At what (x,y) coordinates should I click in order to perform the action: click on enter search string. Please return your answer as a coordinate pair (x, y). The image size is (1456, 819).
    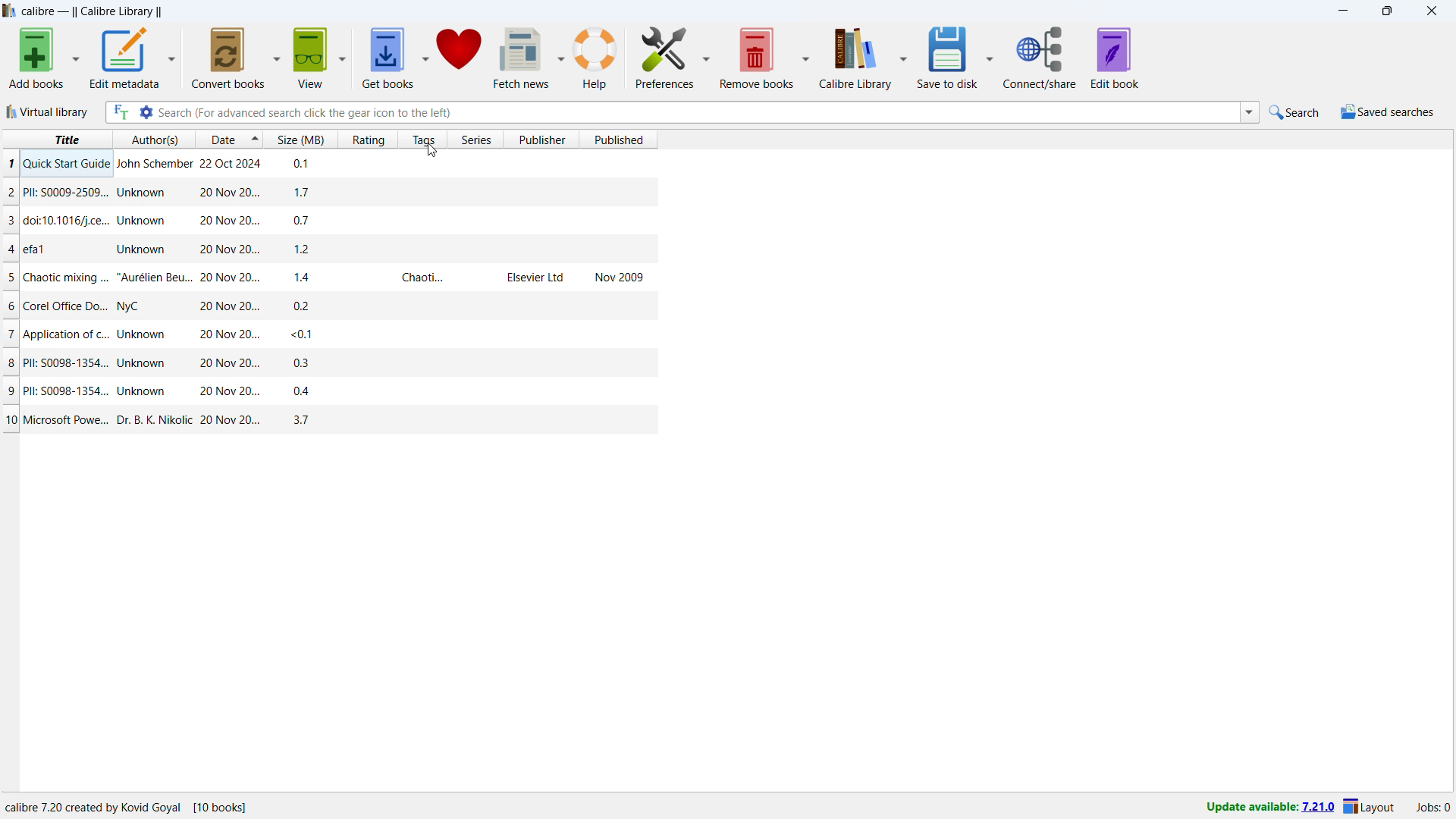
    Looking at the image, I should click on (698, 111).